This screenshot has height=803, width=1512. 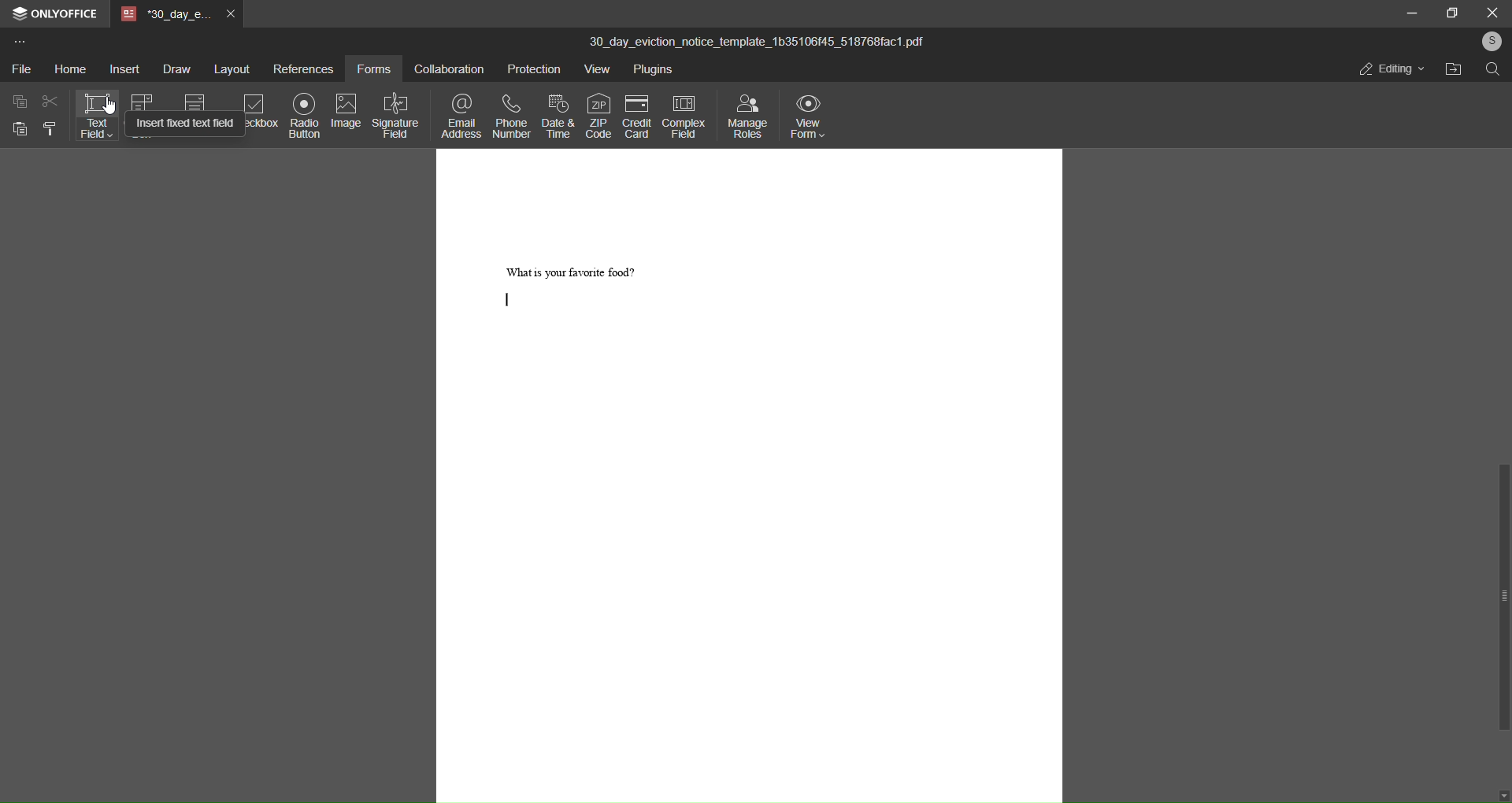 What do you see at coordinates (176, 70) in the screenshot?
I see `draw` at bounding box center [176, 70].